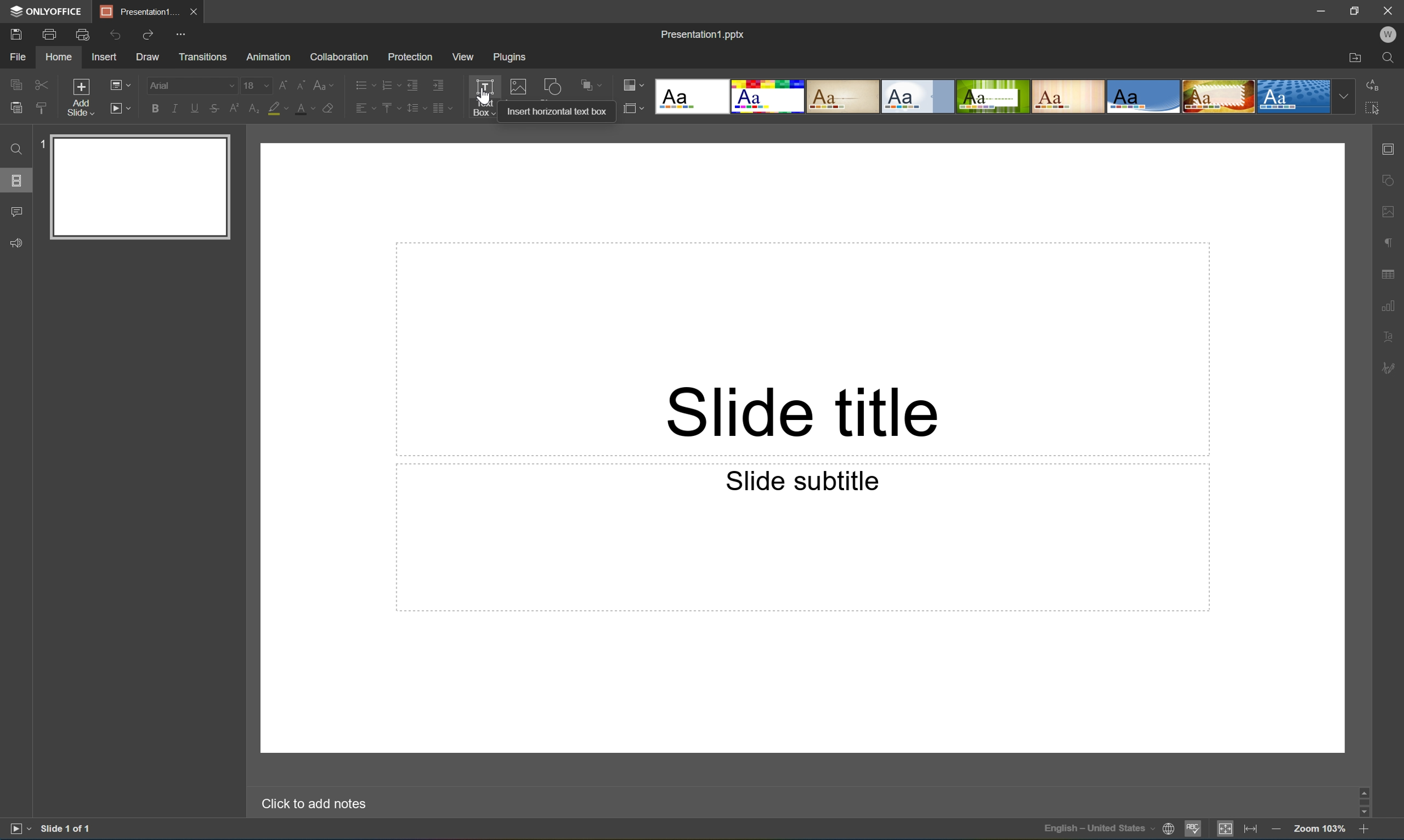  I want to click on Save, so click(14, 33).